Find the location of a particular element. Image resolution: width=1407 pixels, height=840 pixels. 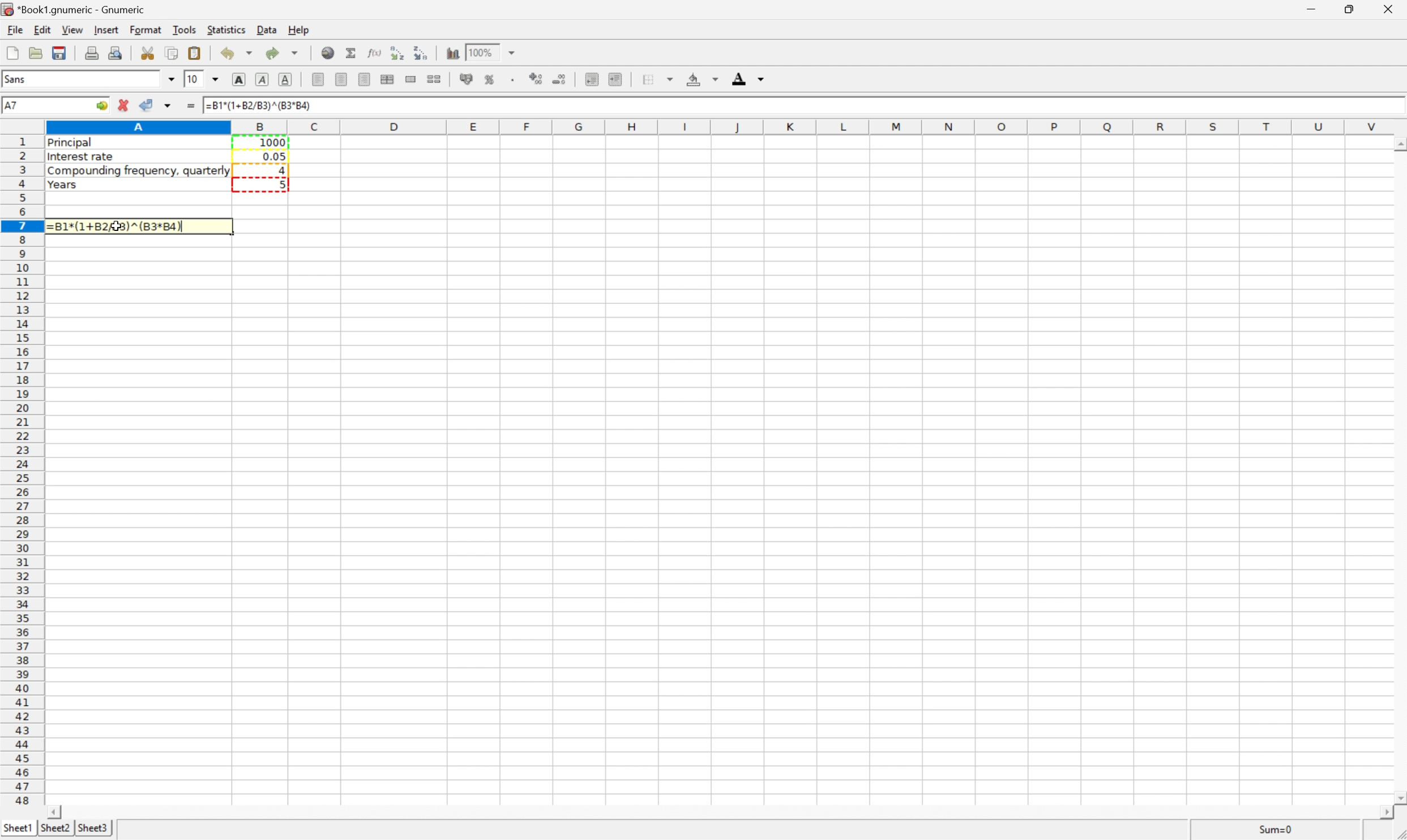

scroll left is located at coordinates (57, 812).